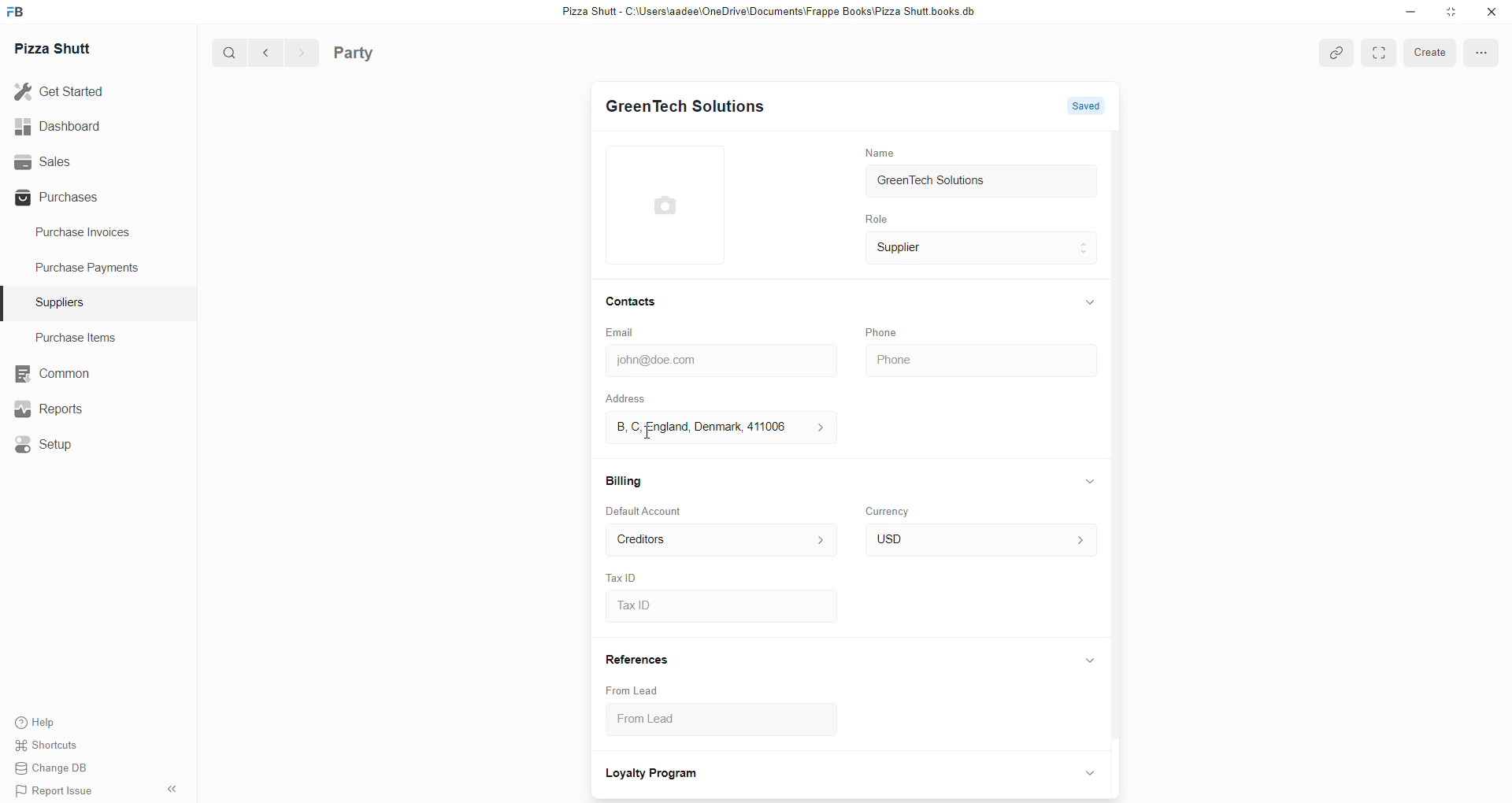 Image resolution: width=1512 pixels, height=803 pixels. Describe the element at coordinates (405, 52) in the screenshot. I see `Purchase Invoice` at that location.